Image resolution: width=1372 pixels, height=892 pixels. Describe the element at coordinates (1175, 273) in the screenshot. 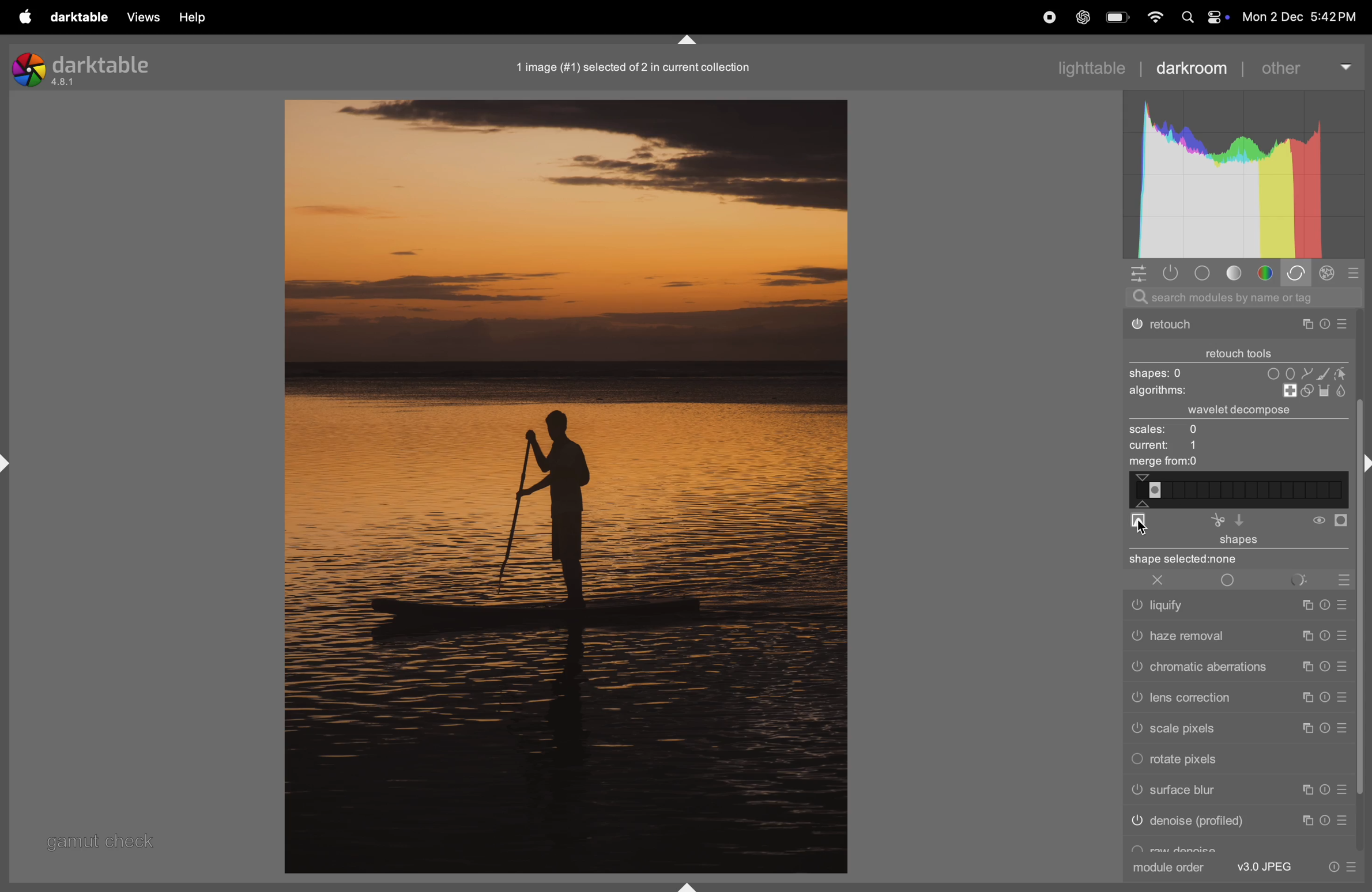

I see `show only active modules` at that location.